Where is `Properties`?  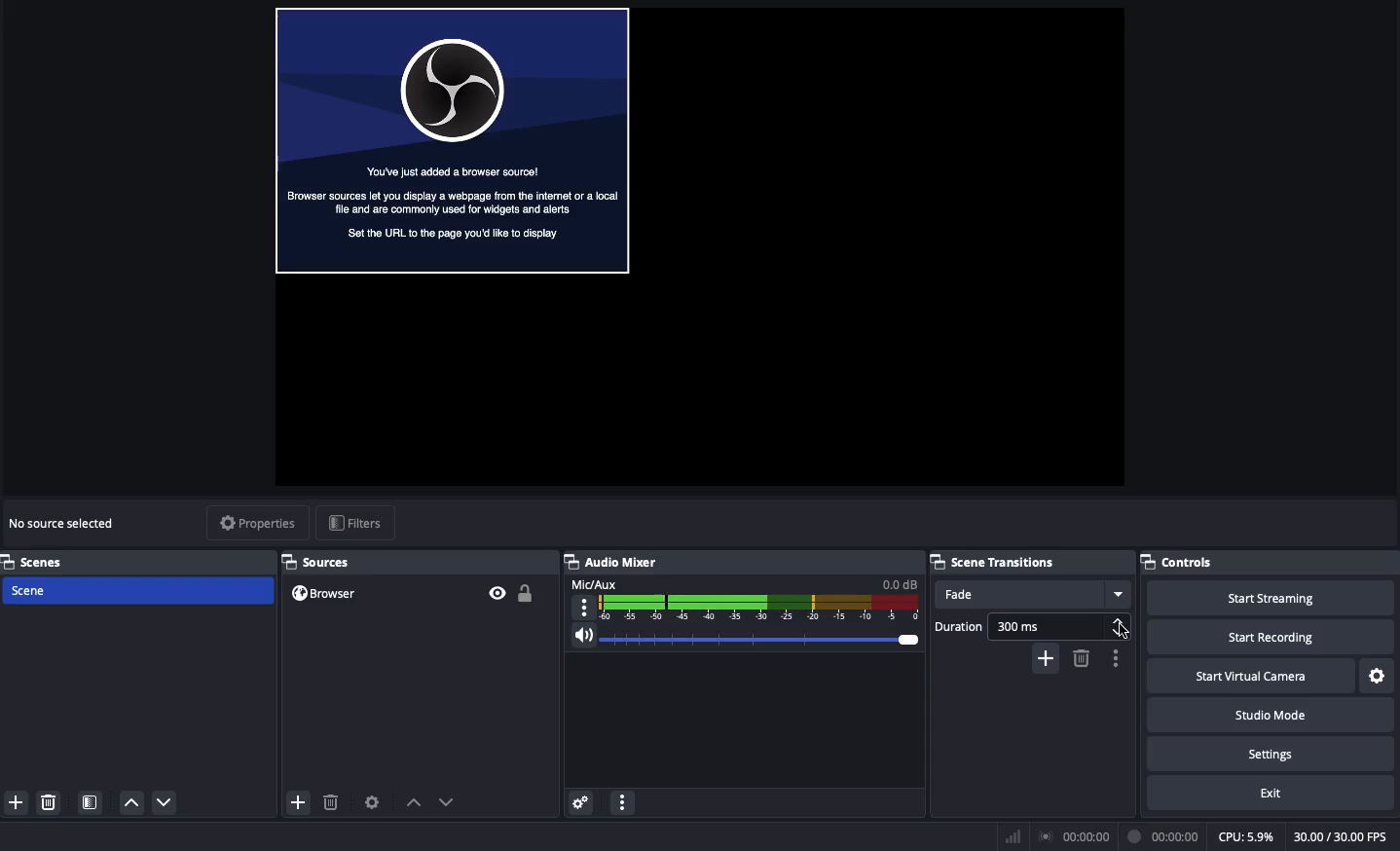 Properties is located at coordinates (255, 523).